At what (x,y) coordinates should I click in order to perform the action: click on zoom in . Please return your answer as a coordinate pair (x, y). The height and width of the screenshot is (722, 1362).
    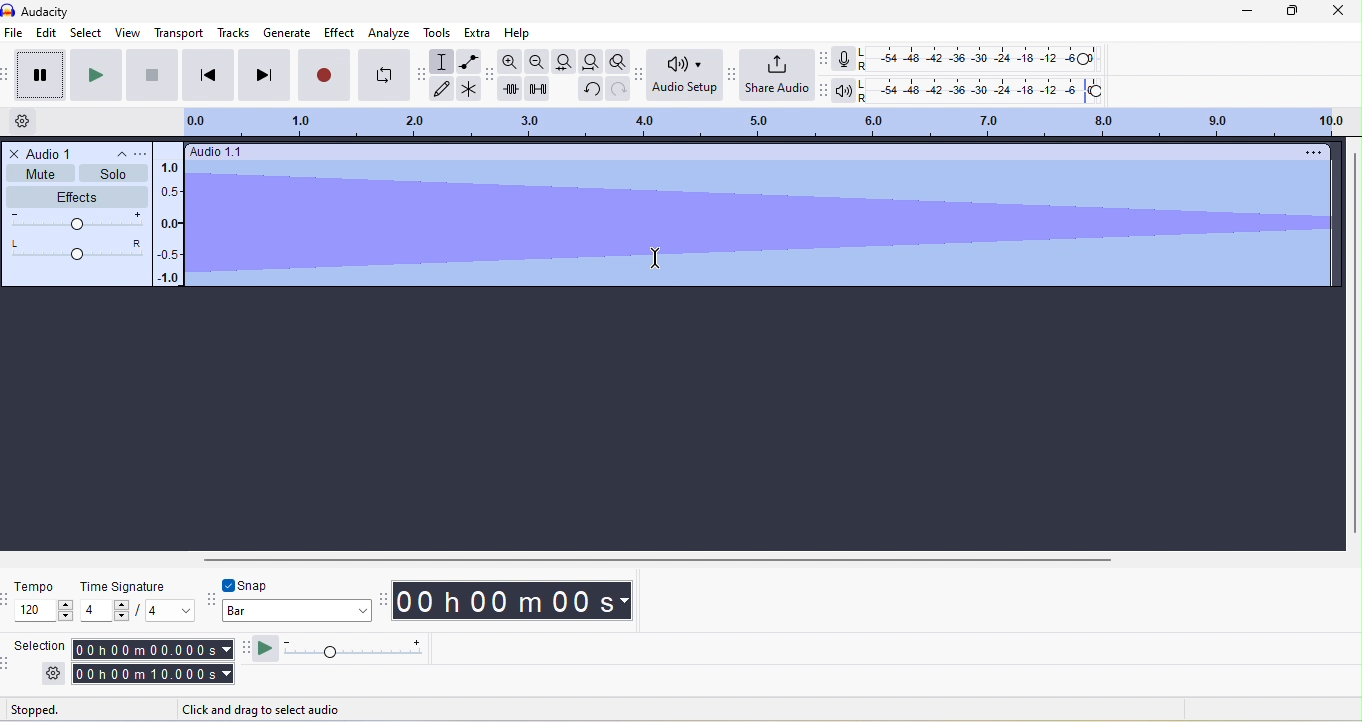
    Looking at the image, I should click on (511, 60).